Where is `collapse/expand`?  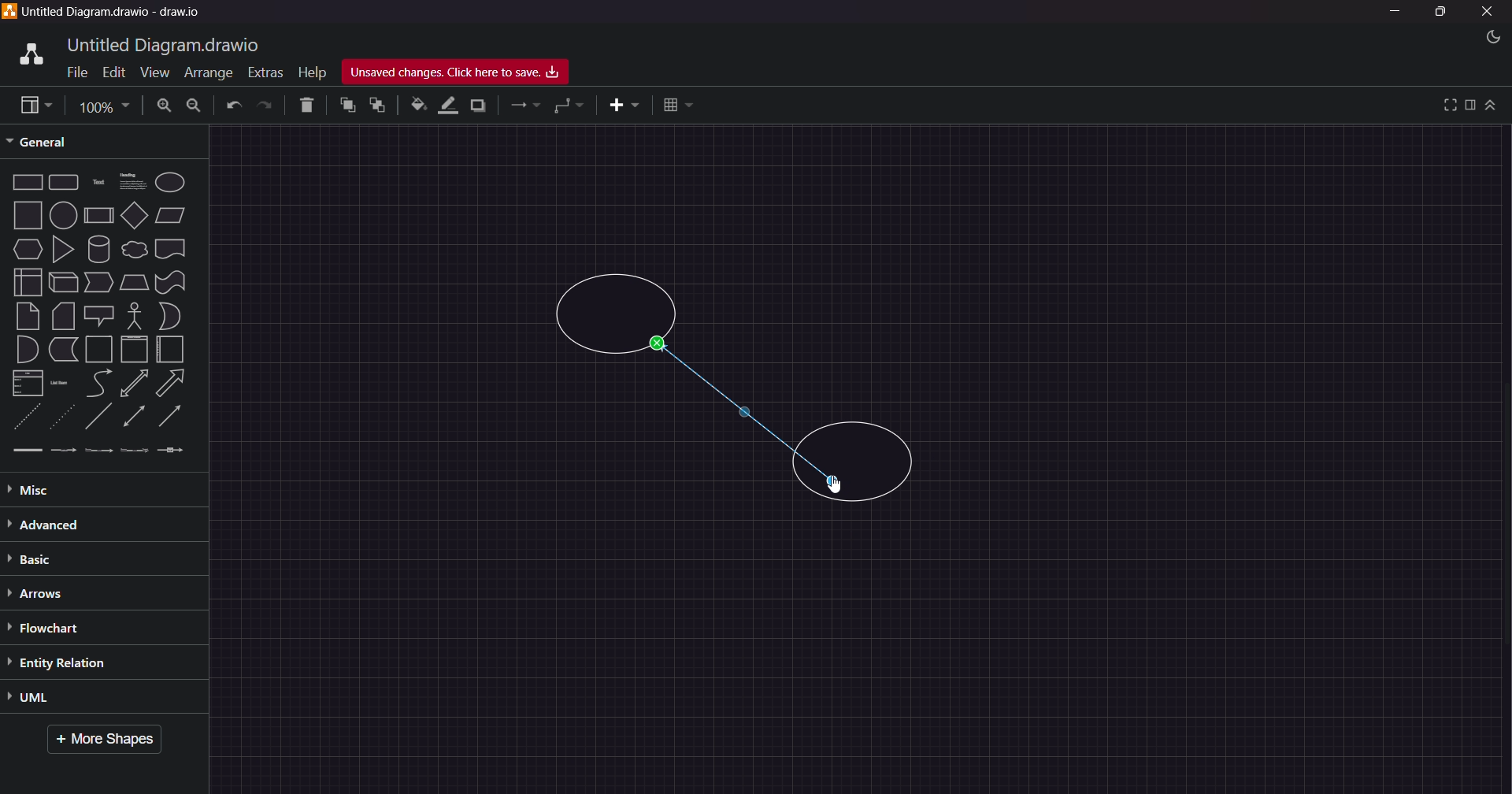 collapse/expand is located at coordinates (1492, 106).